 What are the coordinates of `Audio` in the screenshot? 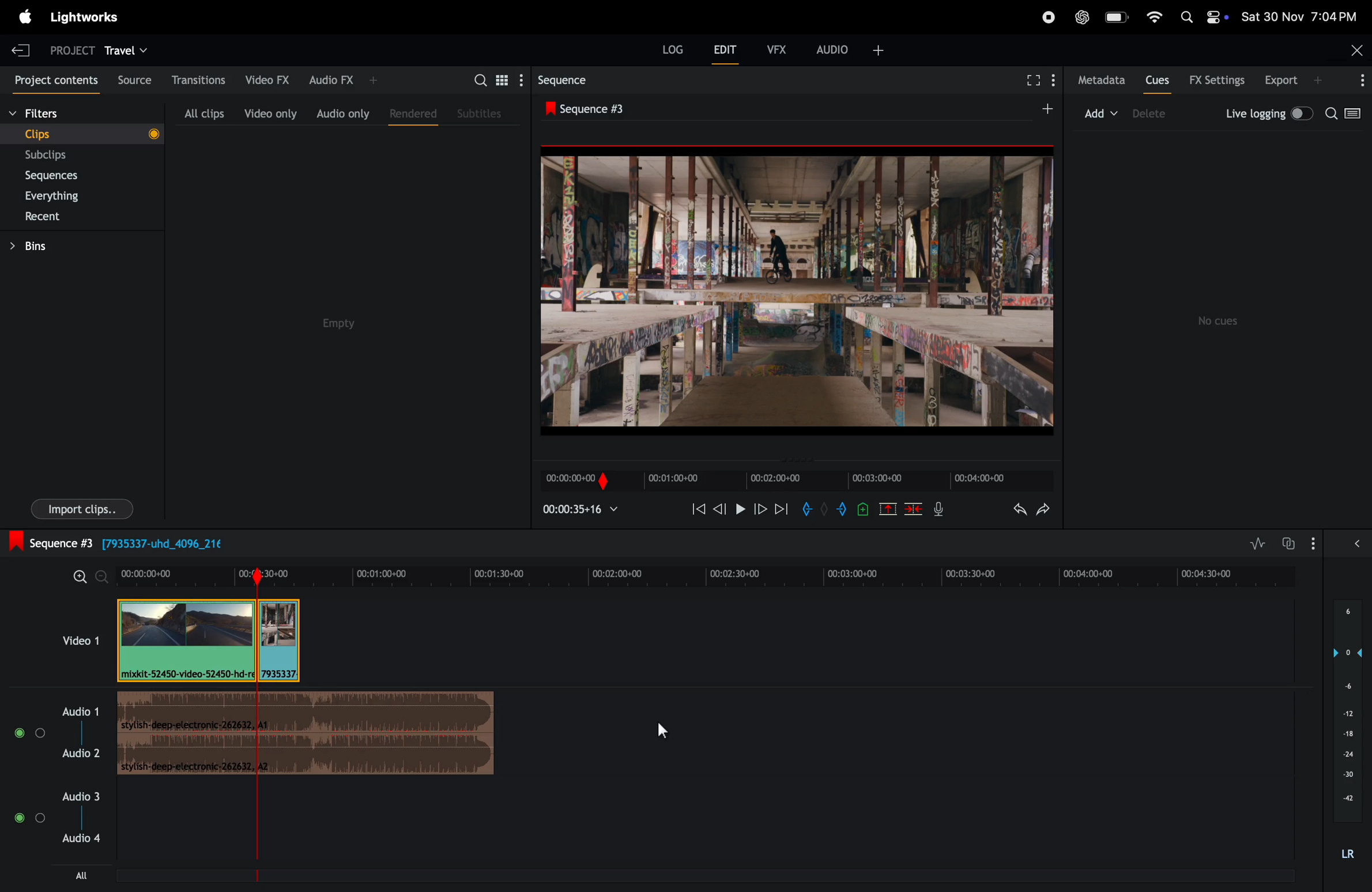 It's located at (1357, 547).